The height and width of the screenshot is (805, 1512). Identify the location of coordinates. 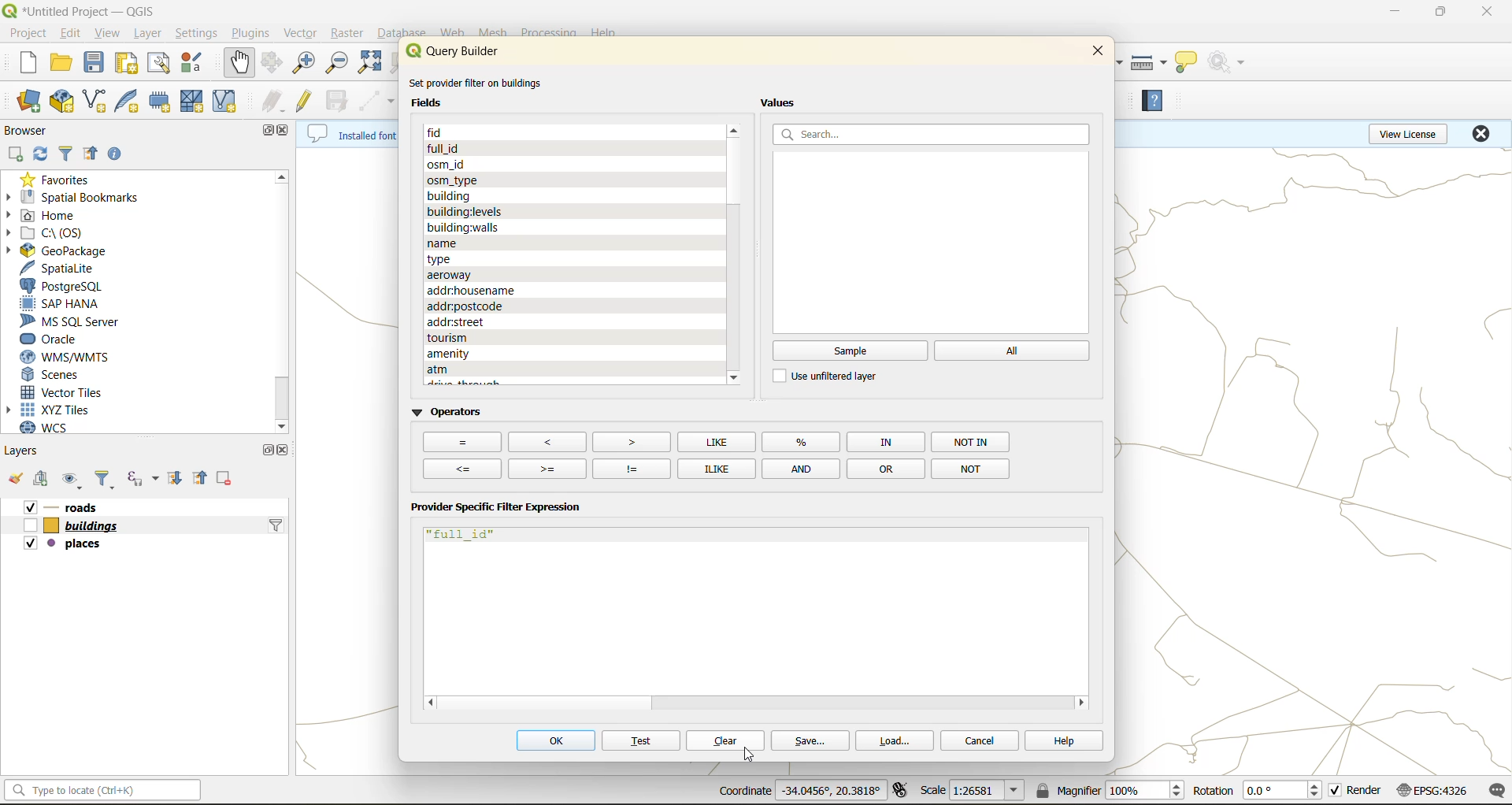
(796, 790).